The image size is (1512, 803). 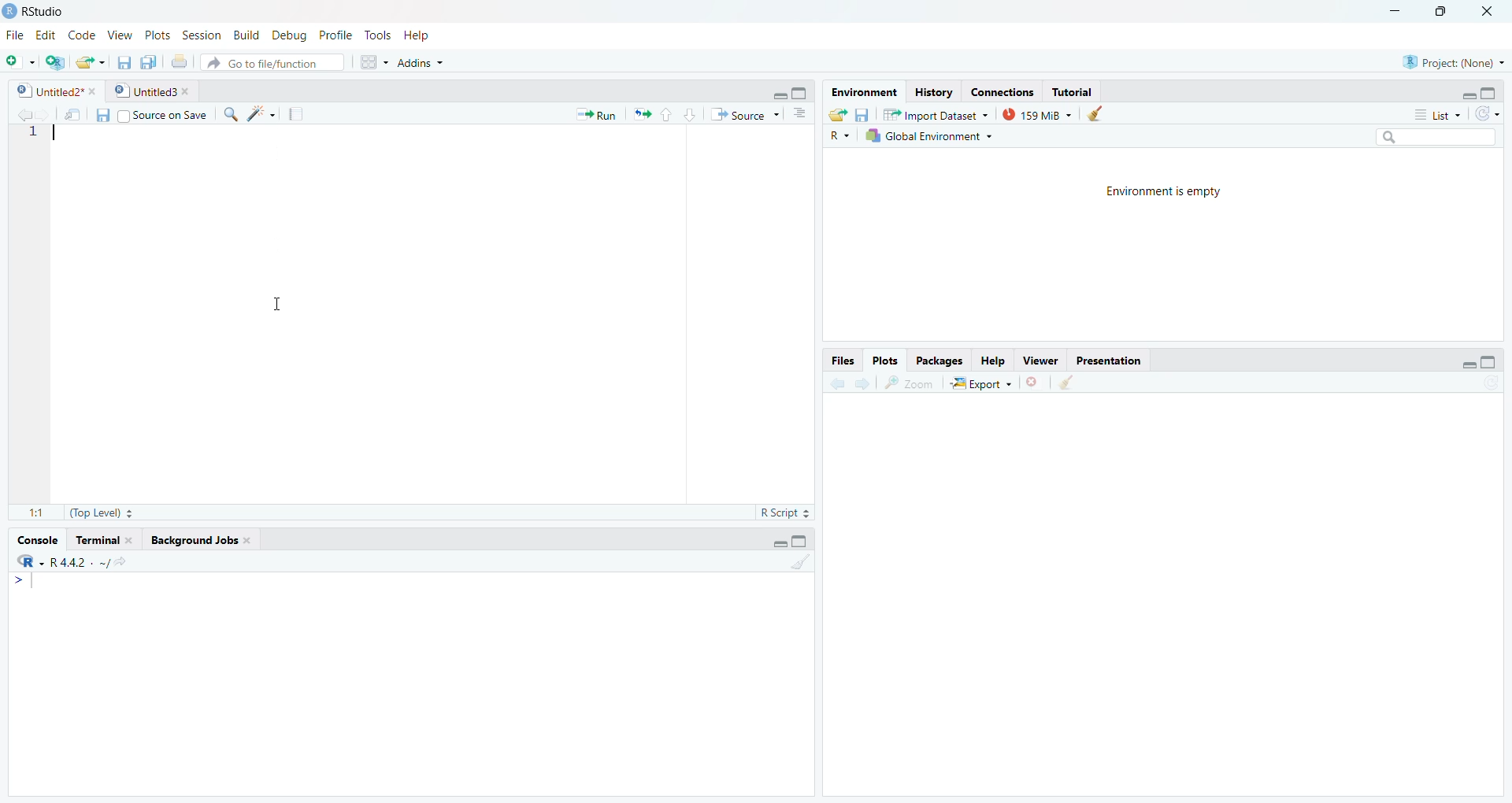 I want to click on Minimize, so click(x=776, y=542).